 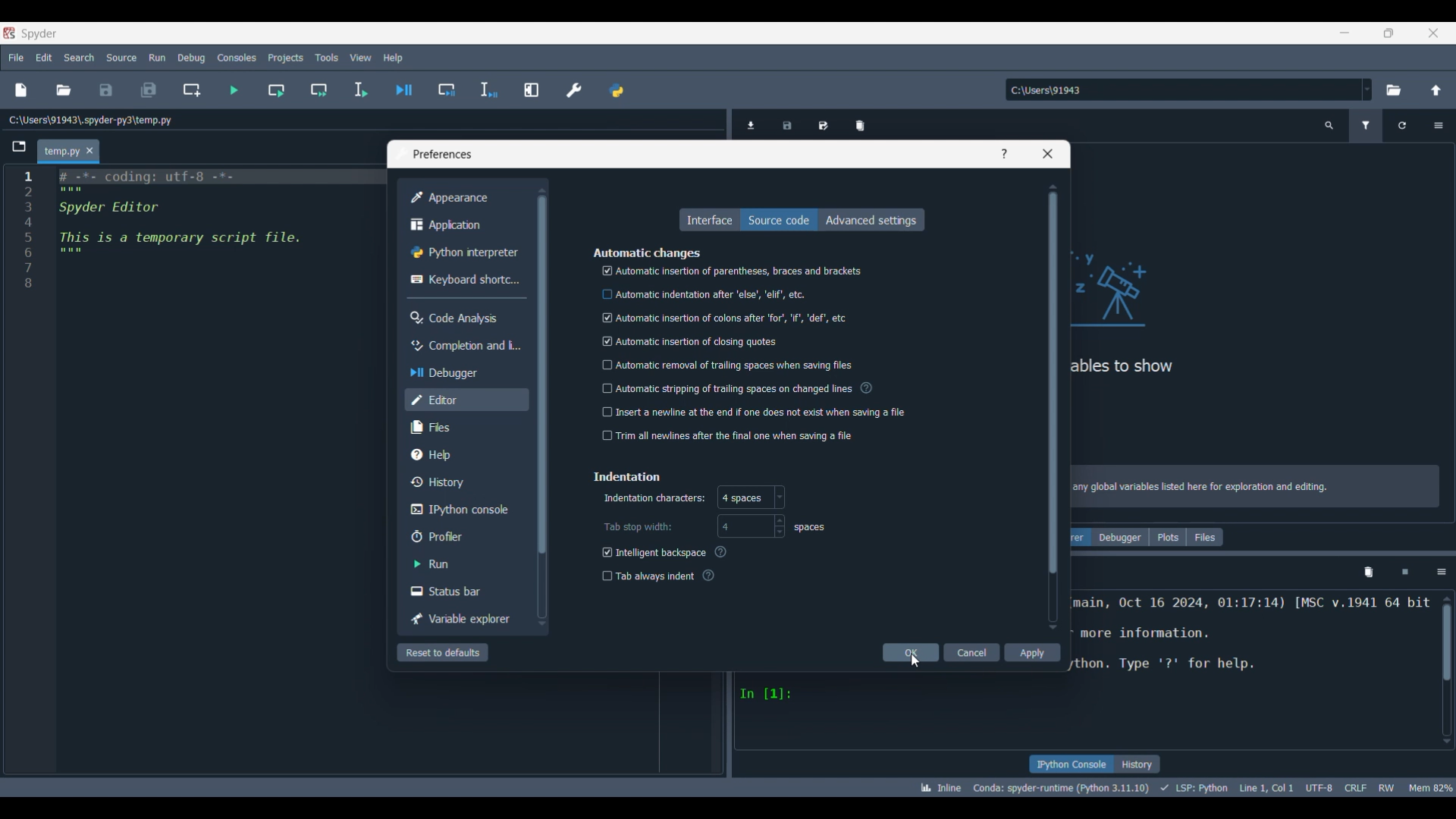 I want to click on Keyboard shortcuts, so click(x=465, y=281).